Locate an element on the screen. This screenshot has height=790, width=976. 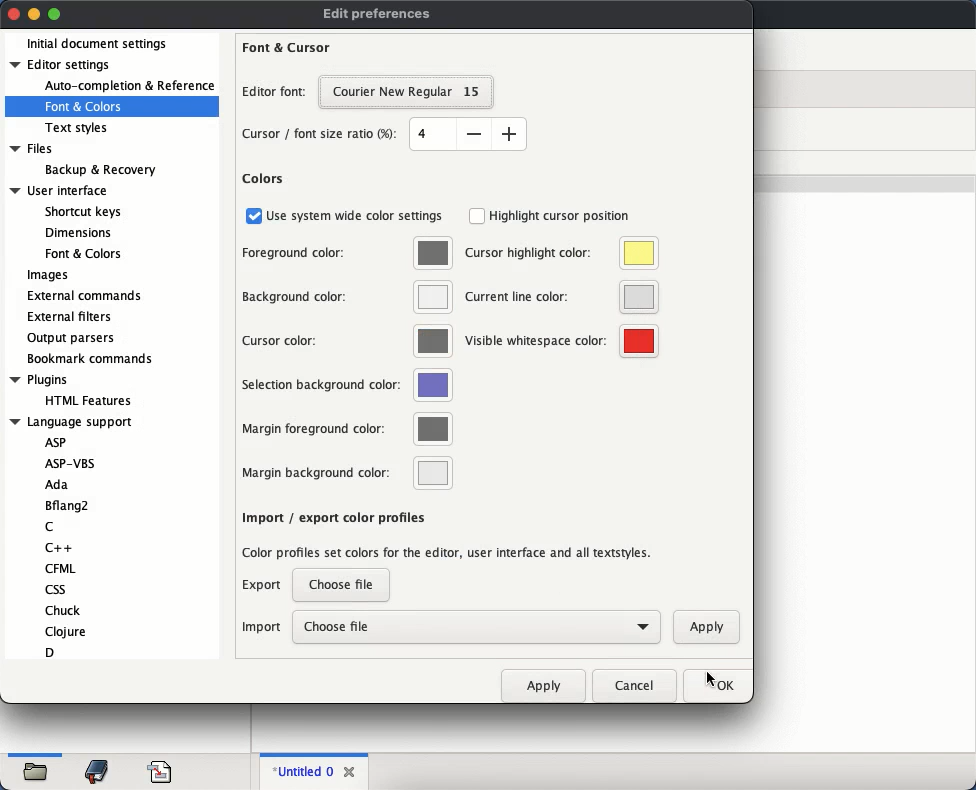
language support is located at coordinates (71, 422).